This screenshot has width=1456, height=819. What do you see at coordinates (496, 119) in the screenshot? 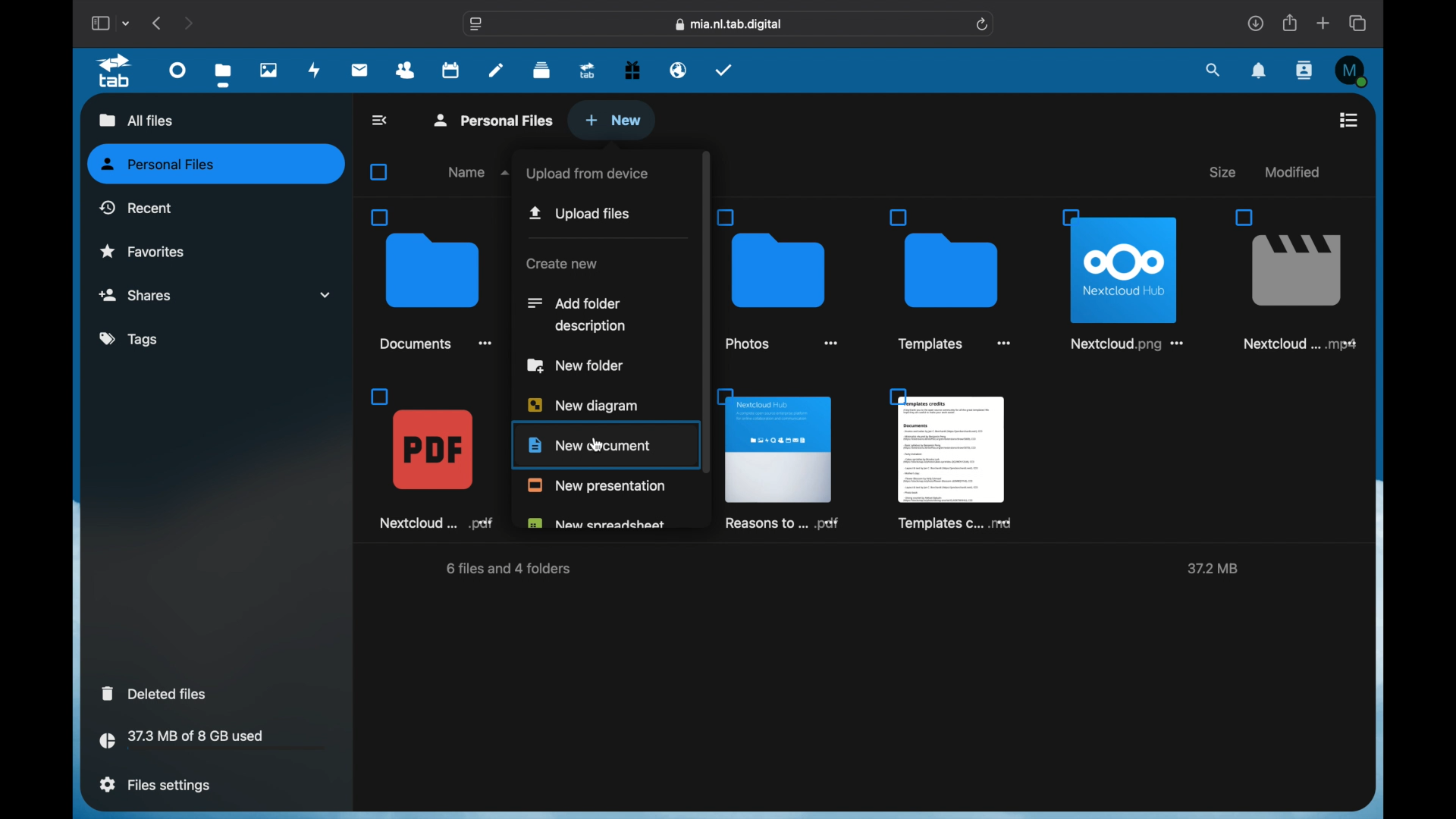
I see `personal files` at bounding box center [496, 119].